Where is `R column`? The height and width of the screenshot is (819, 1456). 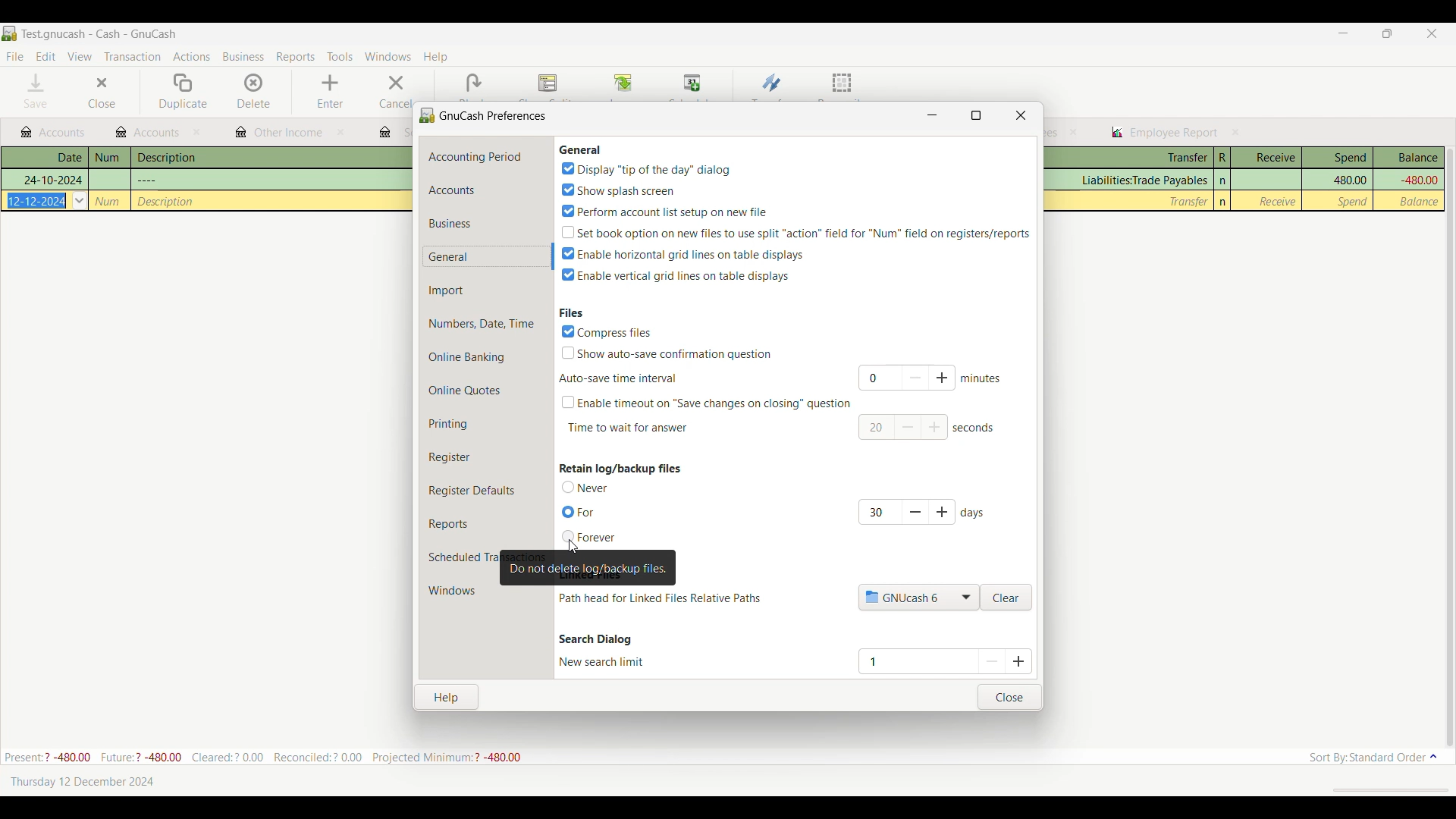 R column is located at coordinates (1222, 158).